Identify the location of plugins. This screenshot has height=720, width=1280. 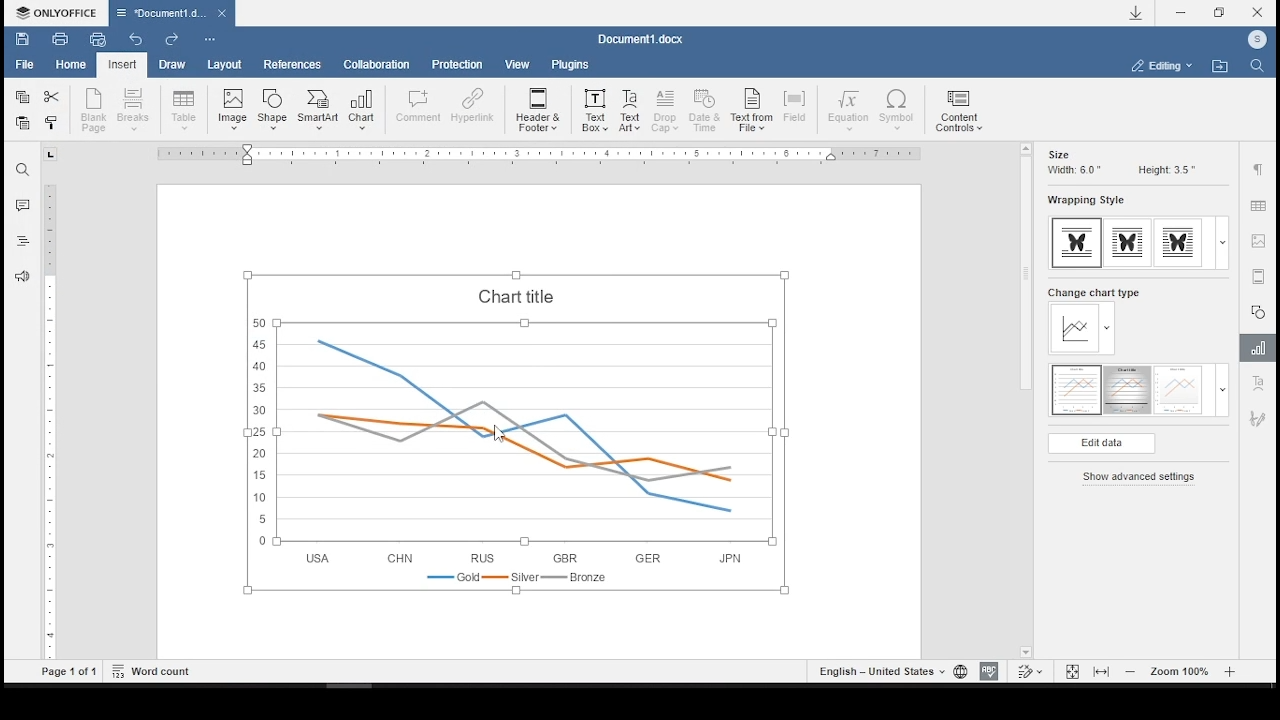
(571, 66).